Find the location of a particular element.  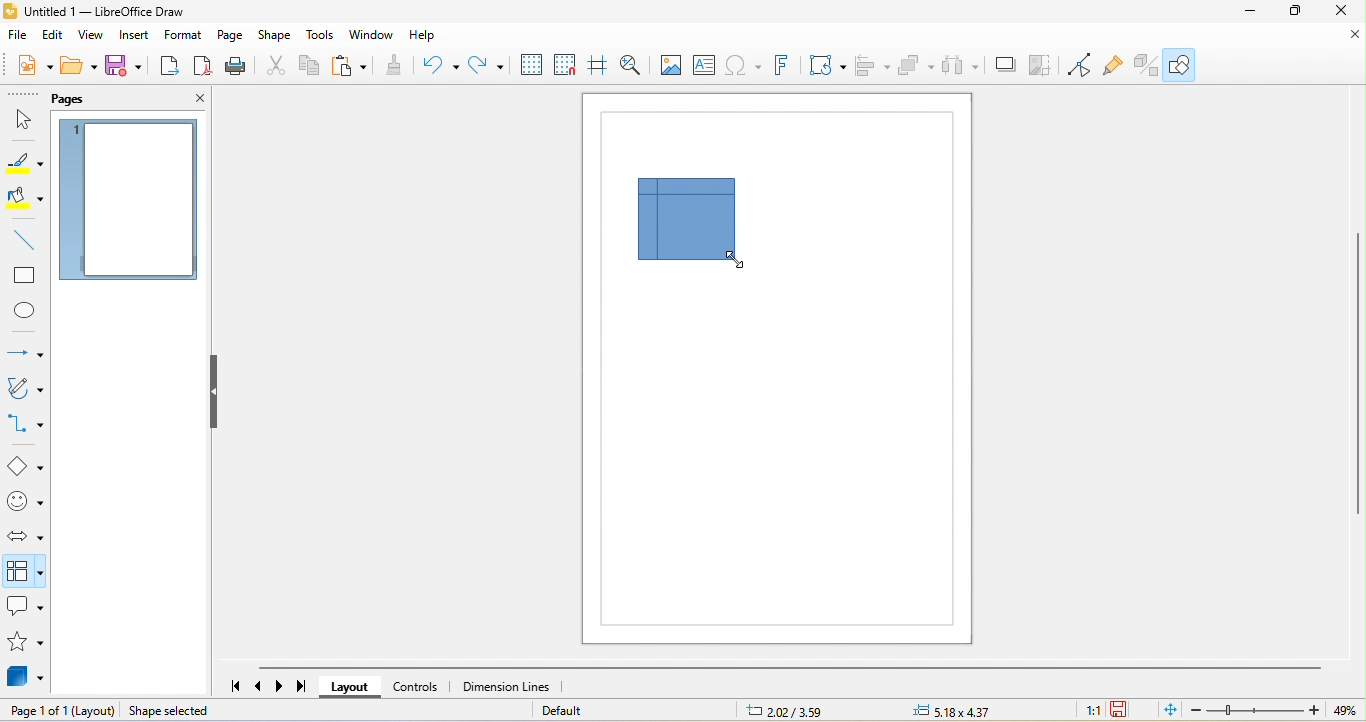

untitled 1- libre office draw is located at coordinates (103, 12).